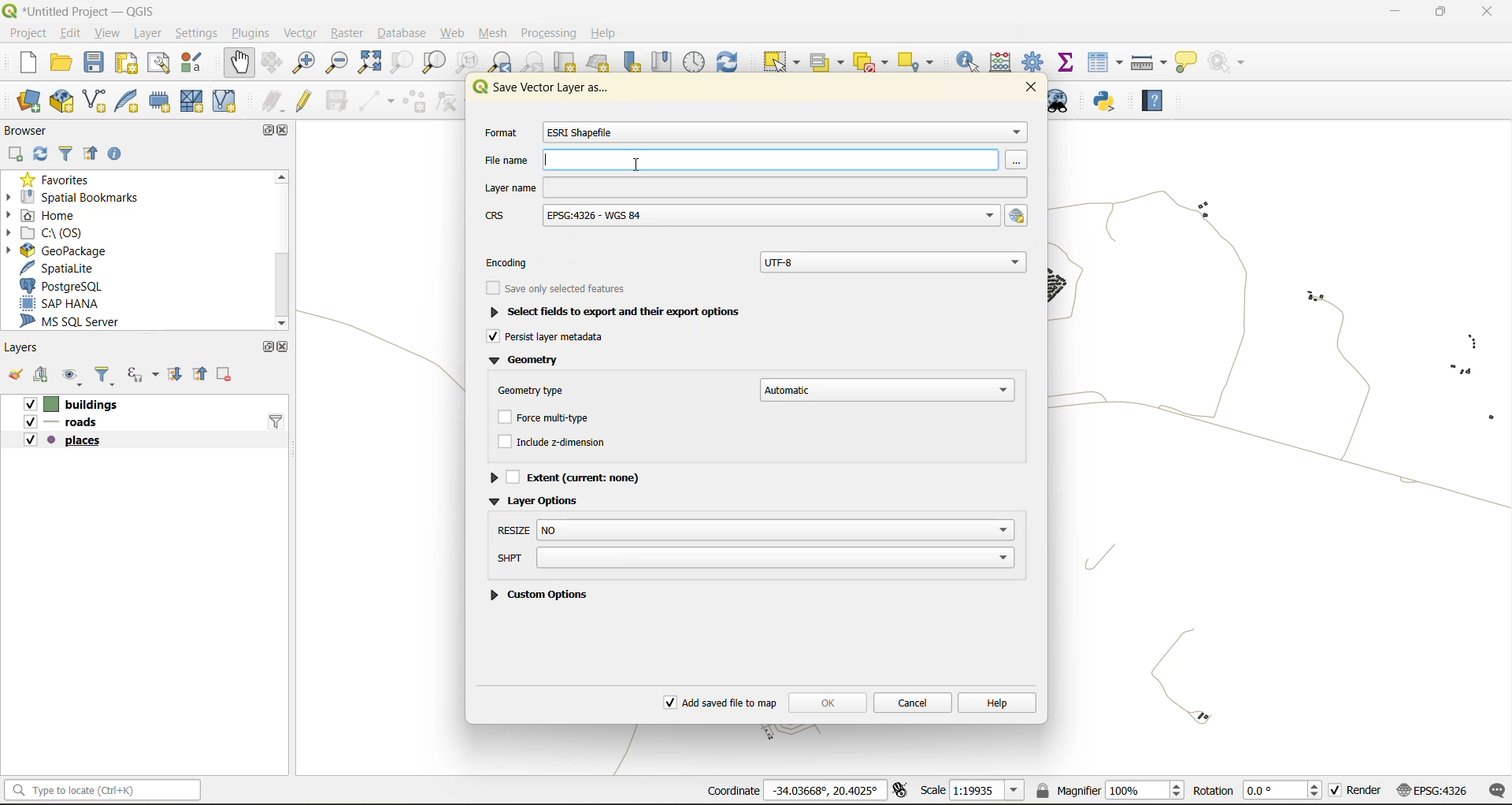 This screenshot has width=1512, height=805. Describe the element at coordinates (518, 259) in the screenshot. I see `Encoding` at that location.